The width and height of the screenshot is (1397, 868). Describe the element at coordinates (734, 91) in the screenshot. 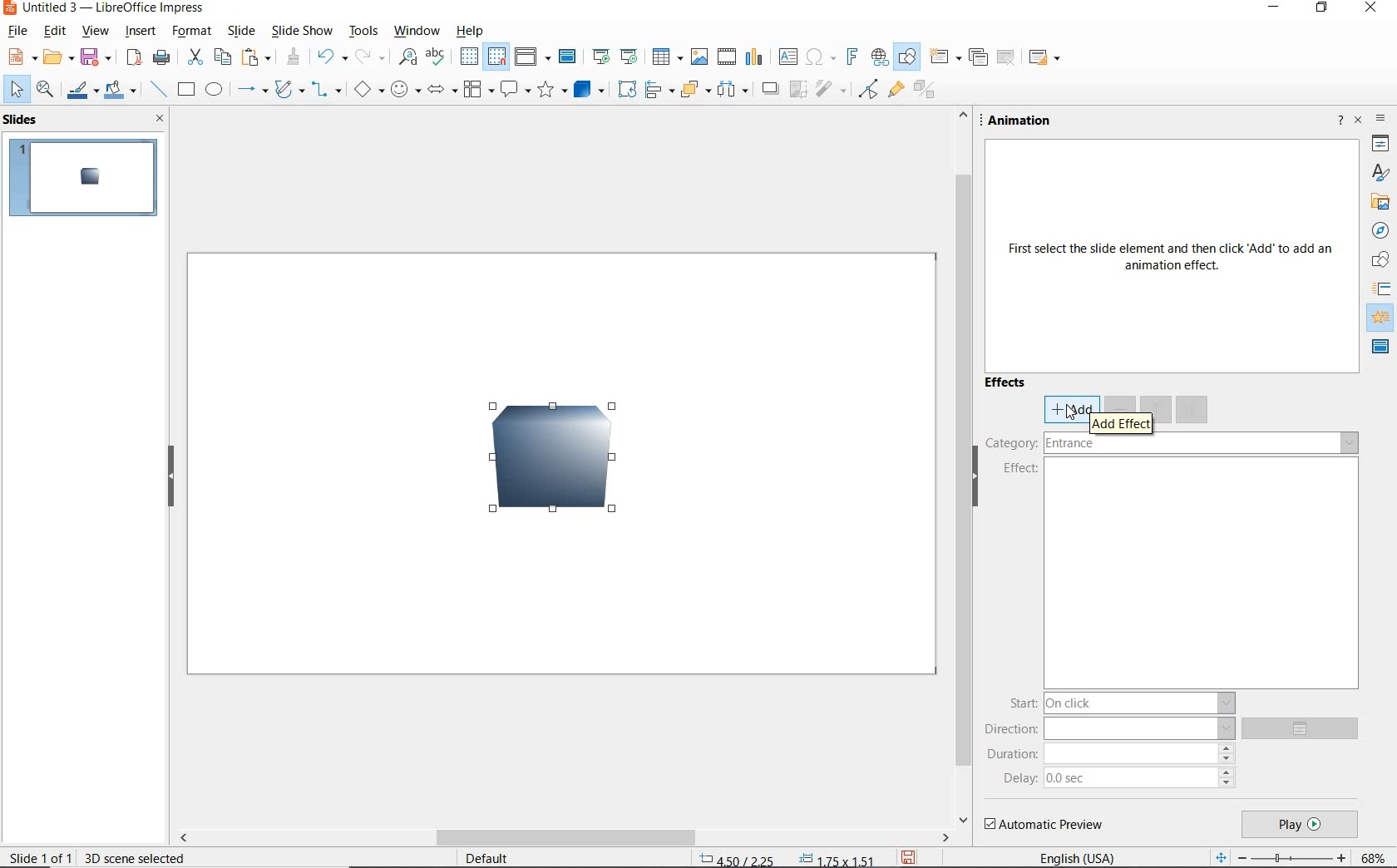

I see `3 objects to distribute` at that location.